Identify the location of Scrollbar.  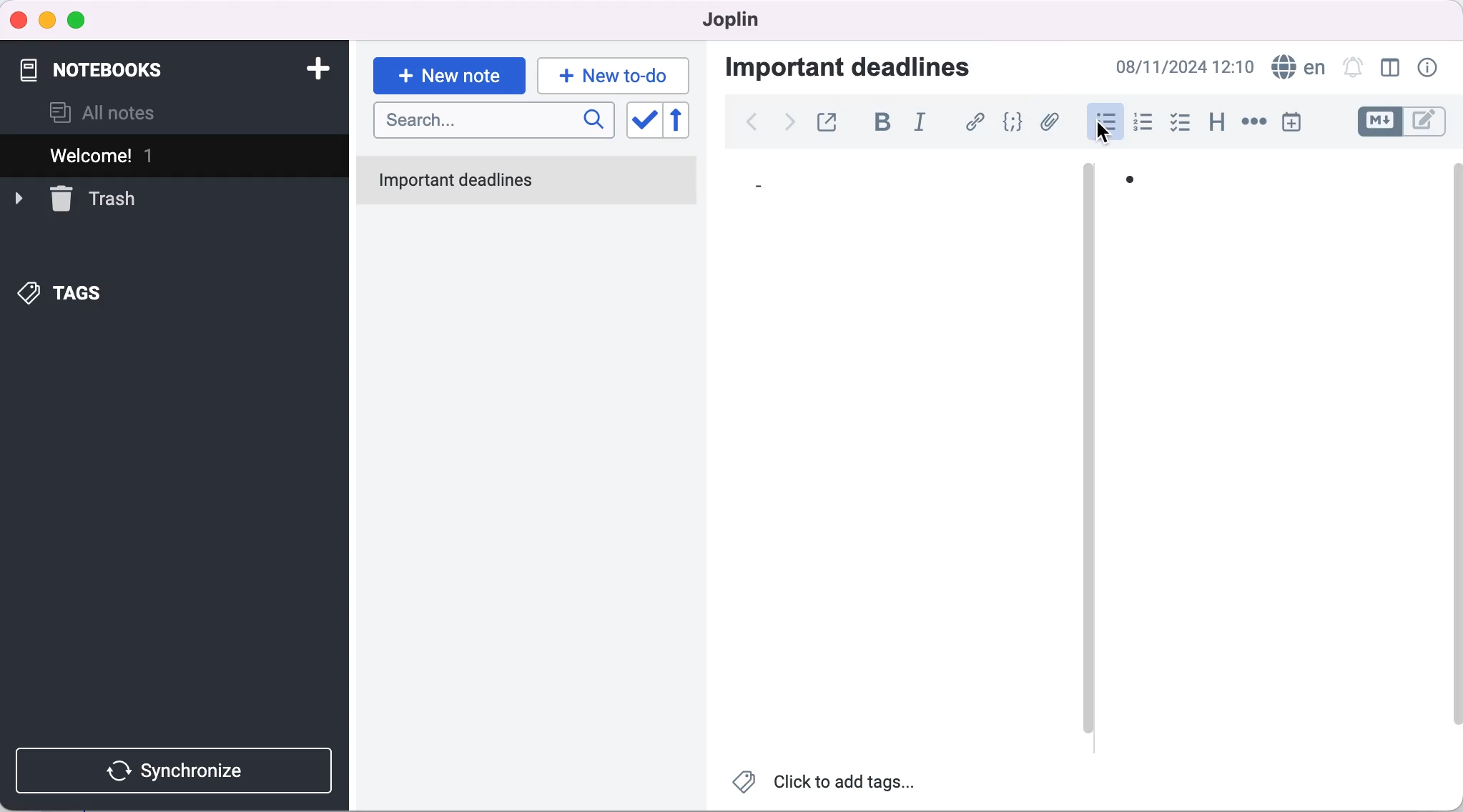
(1464, 444).